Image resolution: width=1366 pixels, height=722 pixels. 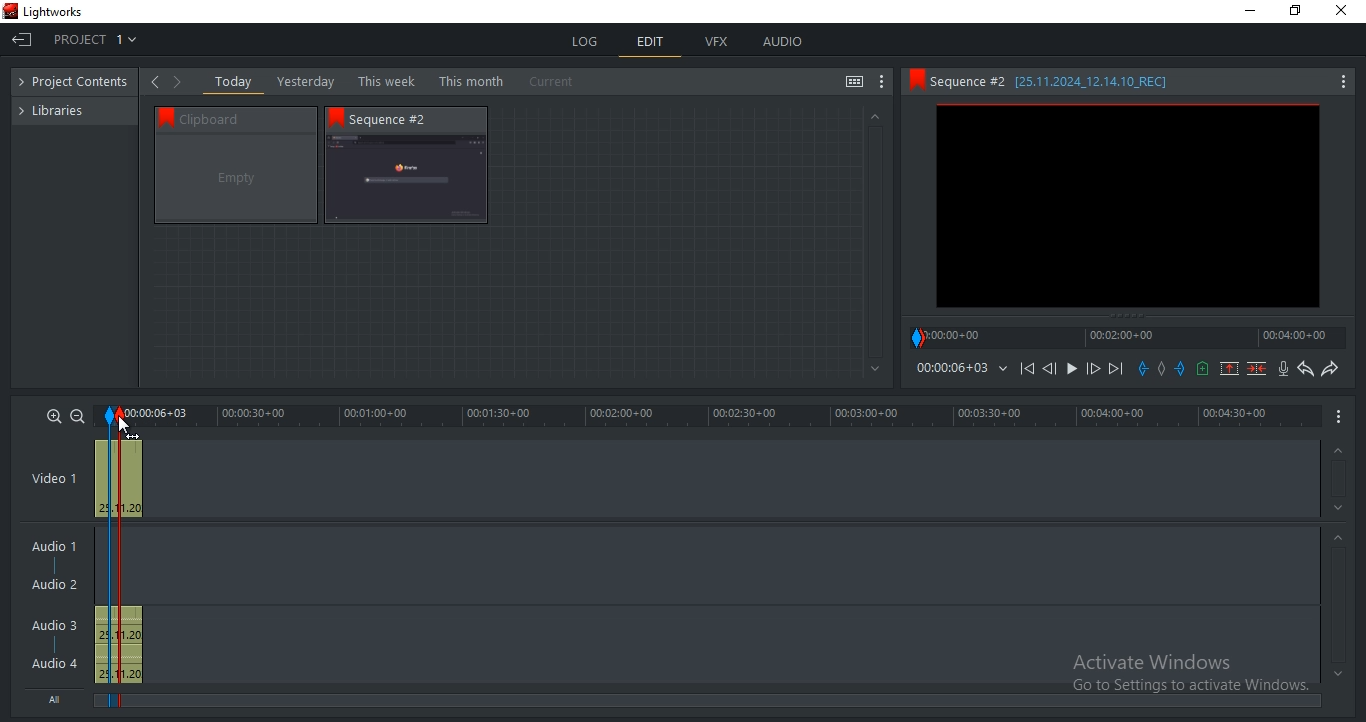 I want to click on Bookmark icon, so click(x=915, y=80).